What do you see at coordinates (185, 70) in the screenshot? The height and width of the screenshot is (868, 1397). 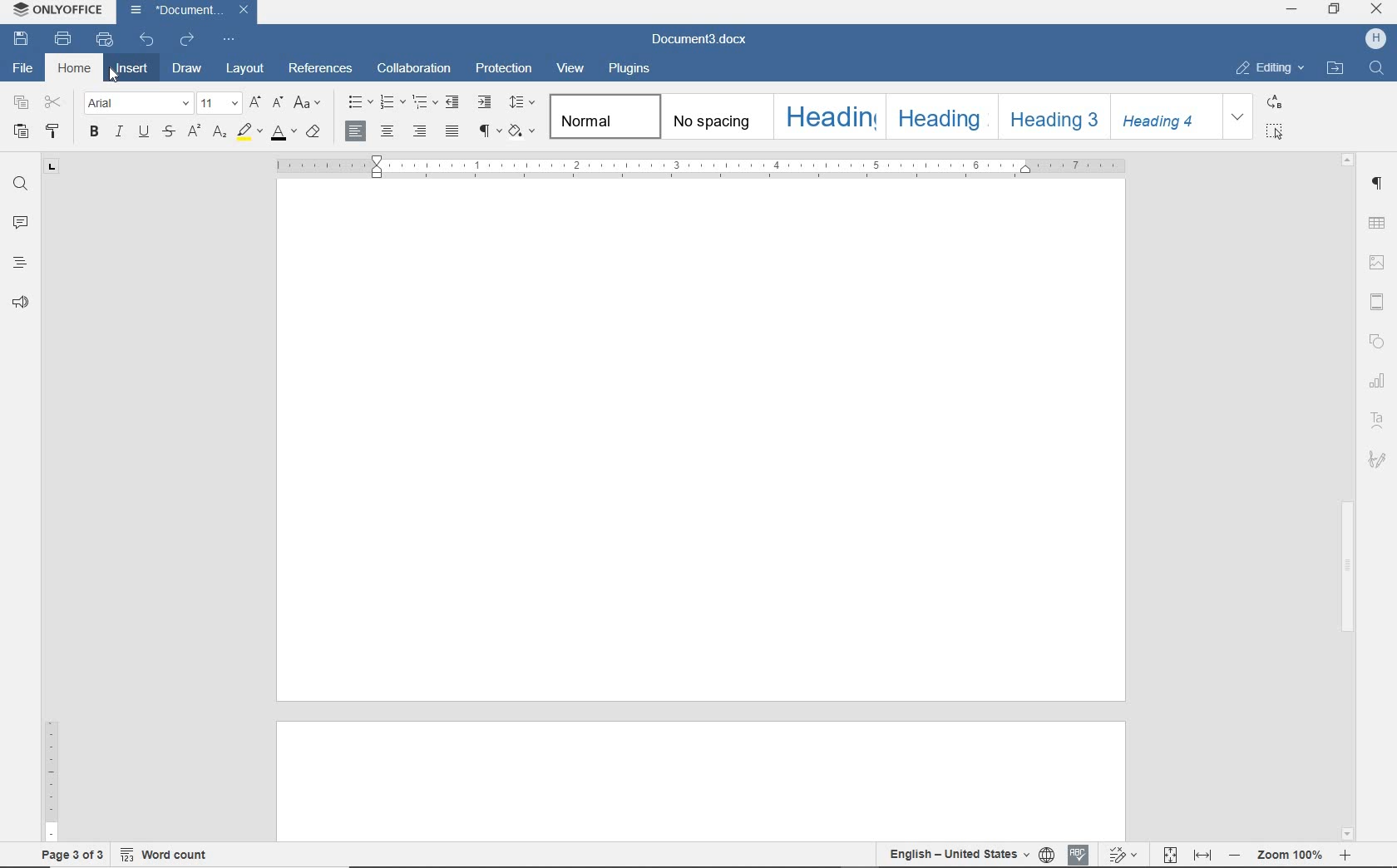 I see `DRAW` at bounding box center [185, 70].